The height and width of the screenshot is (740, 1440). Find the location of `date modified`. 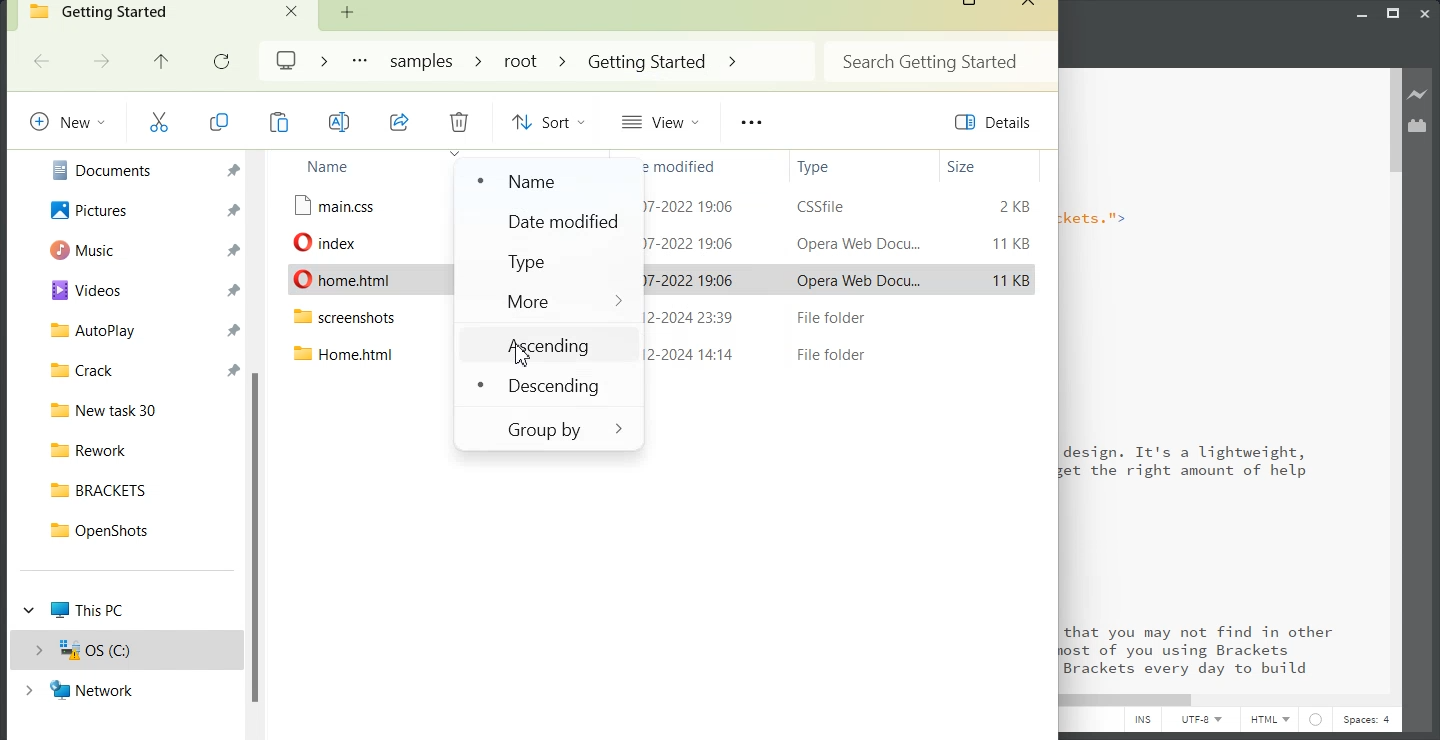

date modified is located at coordinates (692, 242).